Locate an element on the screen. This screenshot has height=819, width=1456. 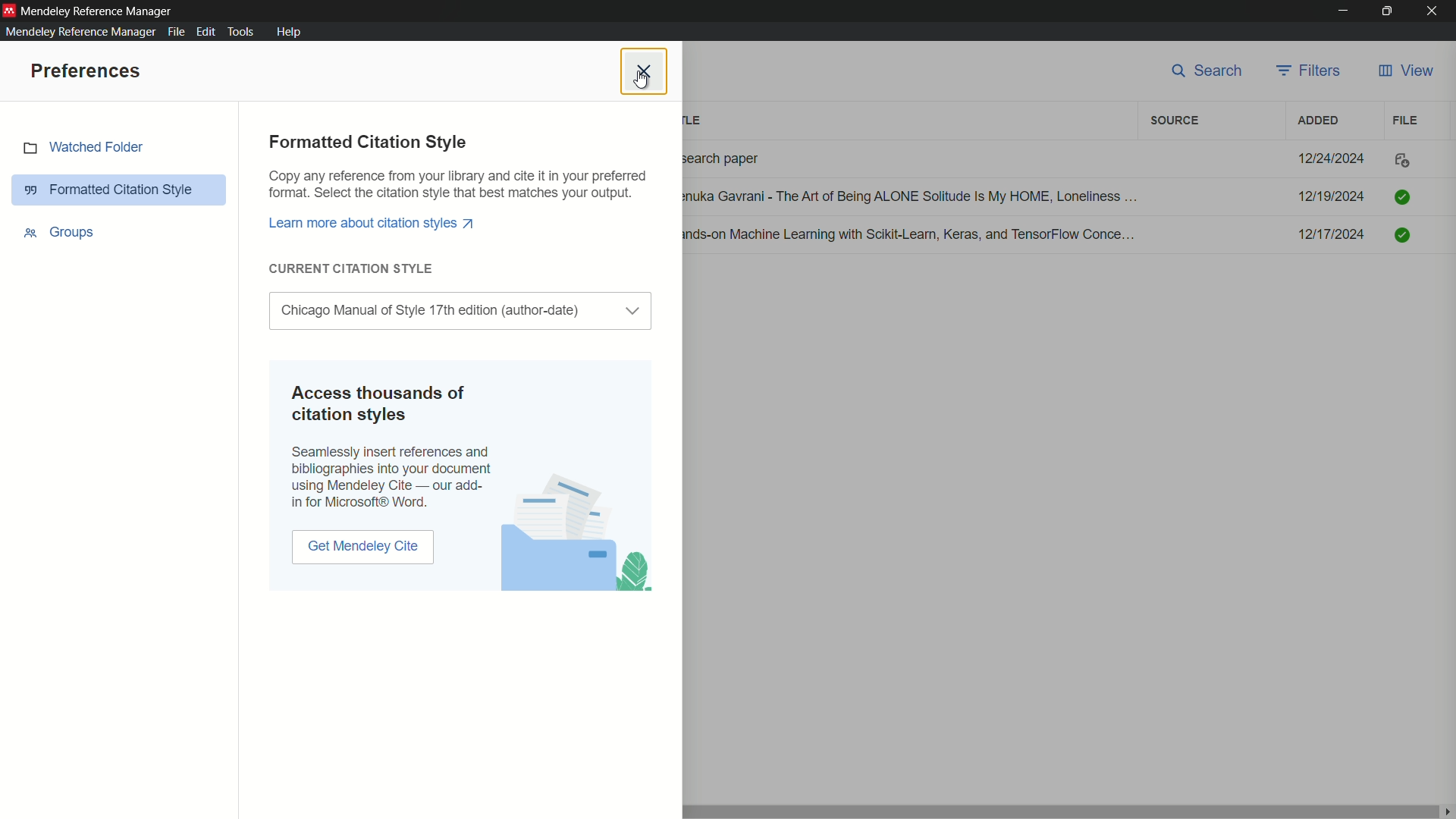
text about access citations is located at coordinates (392, 445).